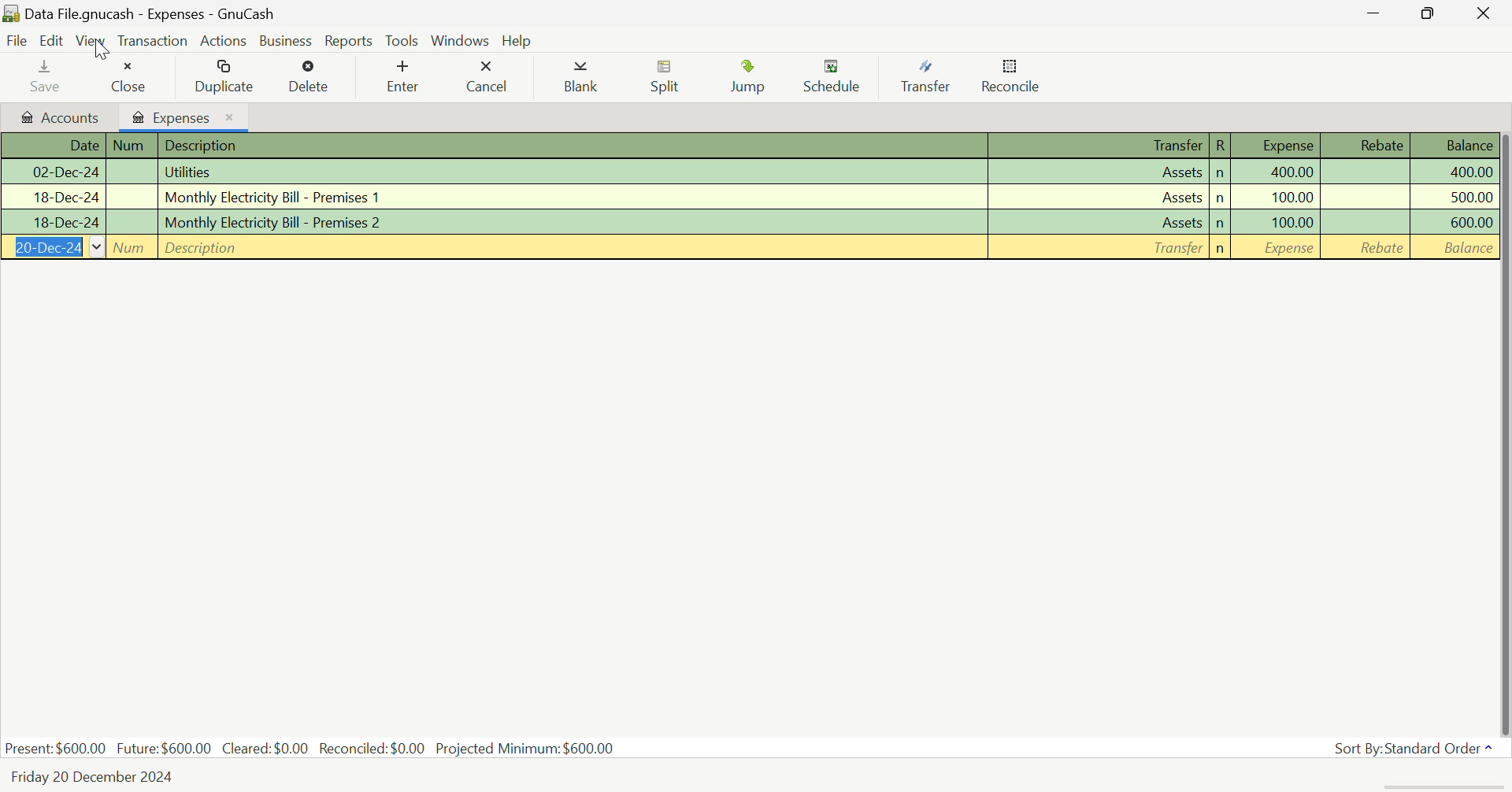 This screenshot has width=1512, height=792. I want to click on Description, so click(573, 146).